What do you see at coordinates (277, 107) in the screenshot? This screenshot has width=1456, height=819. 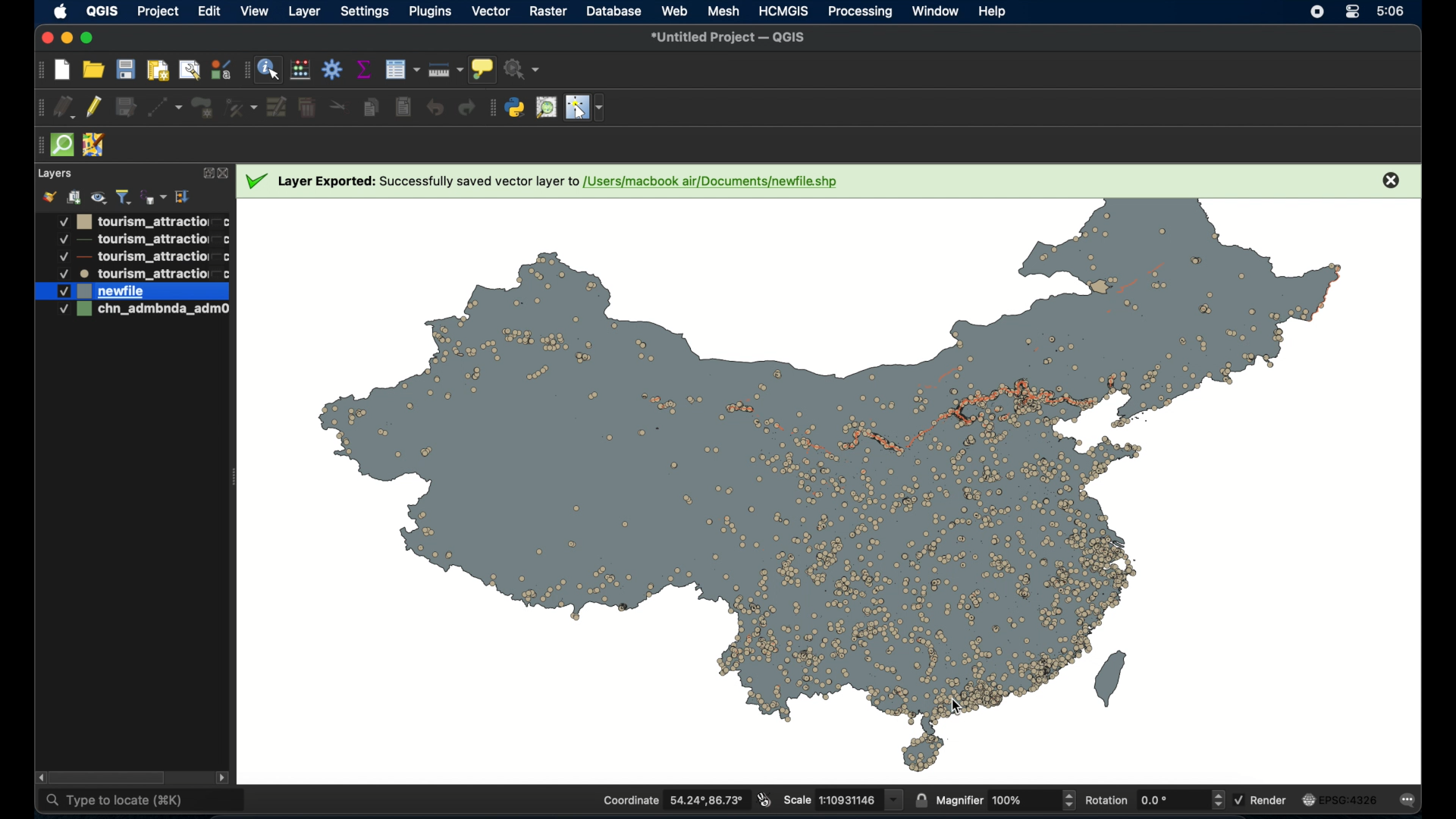 I see `modify attributes` at bounding box center [277, 107].